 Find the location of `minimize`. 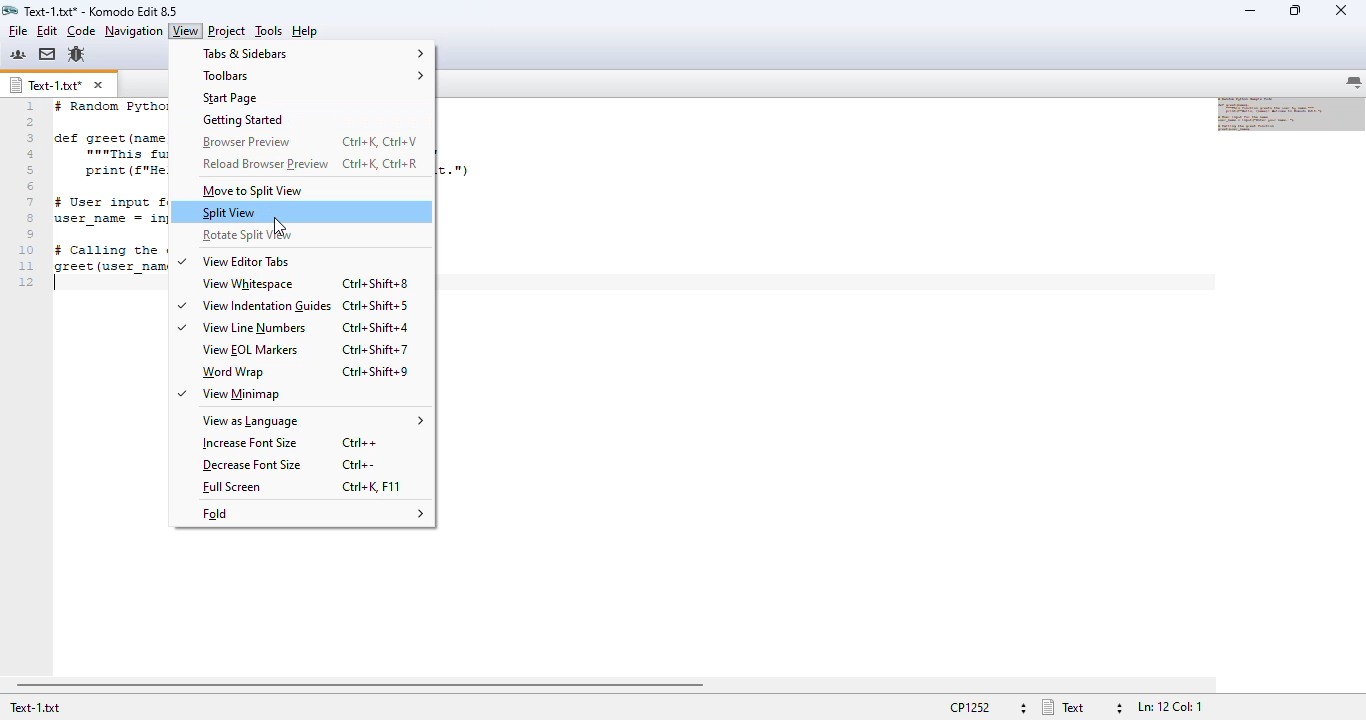

minimize is located at coordinates (1249, 10).